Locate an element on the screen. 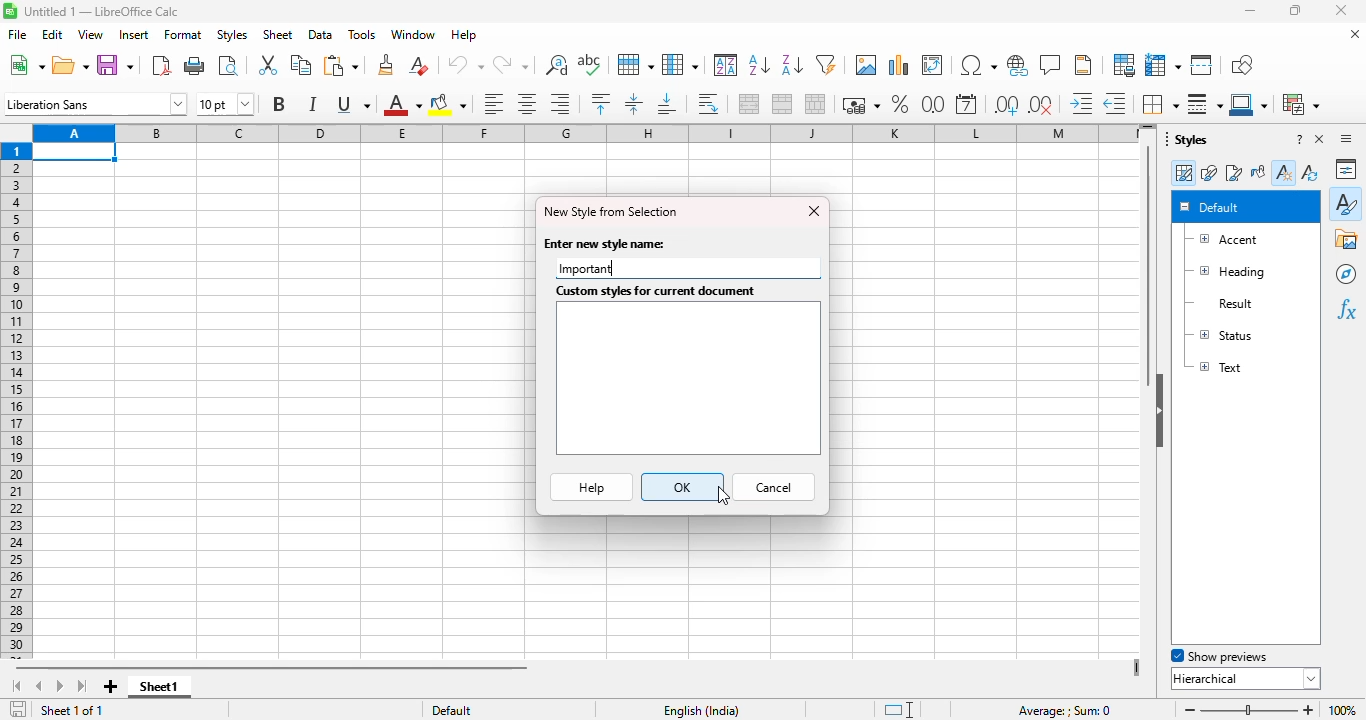 This screenshot has height=720, width=1366. maximize is located at coordinates (1296, 10).